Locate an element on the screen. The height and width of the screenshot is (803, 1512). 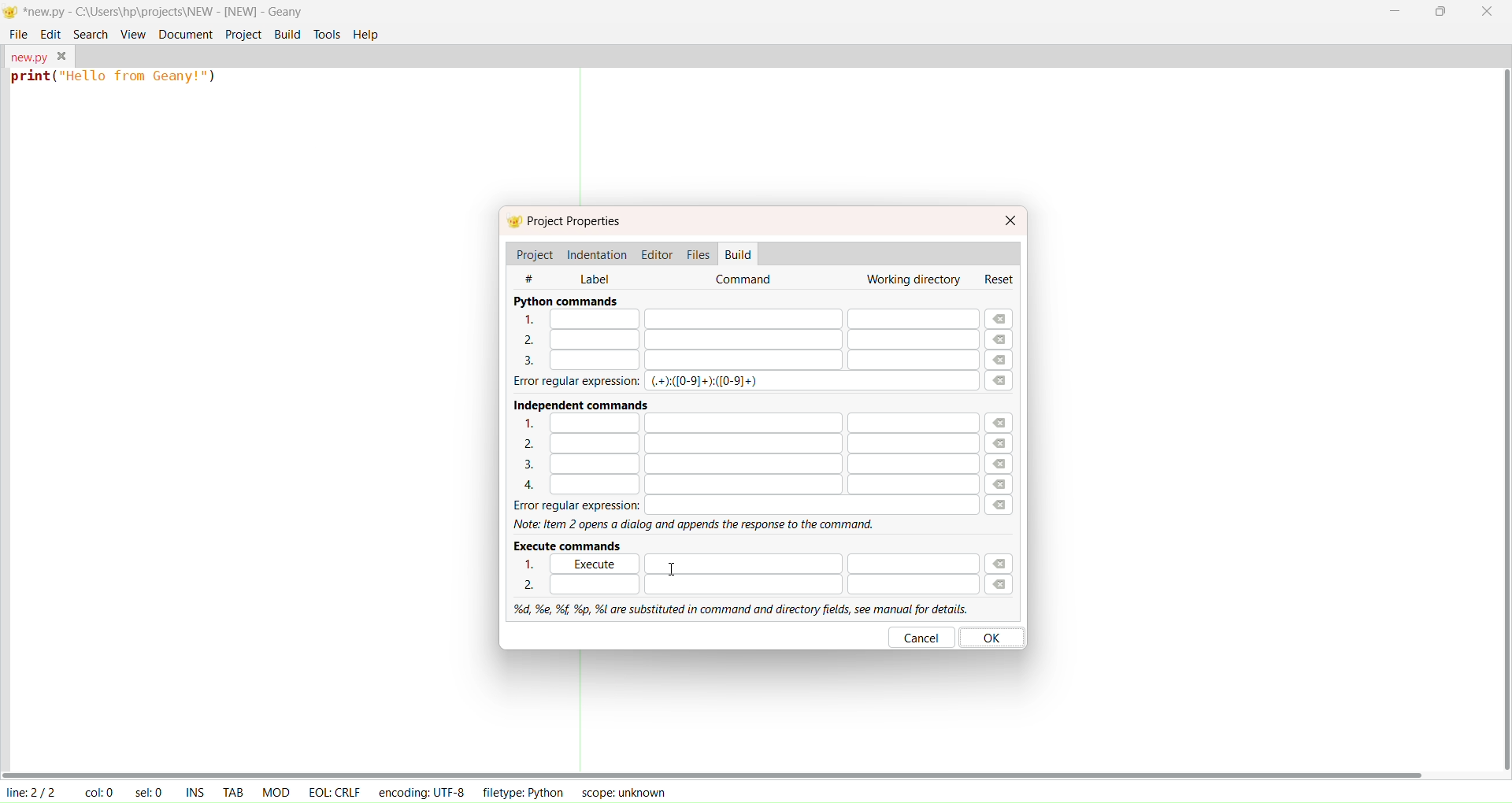
tools is located at coordinates (328, 35).